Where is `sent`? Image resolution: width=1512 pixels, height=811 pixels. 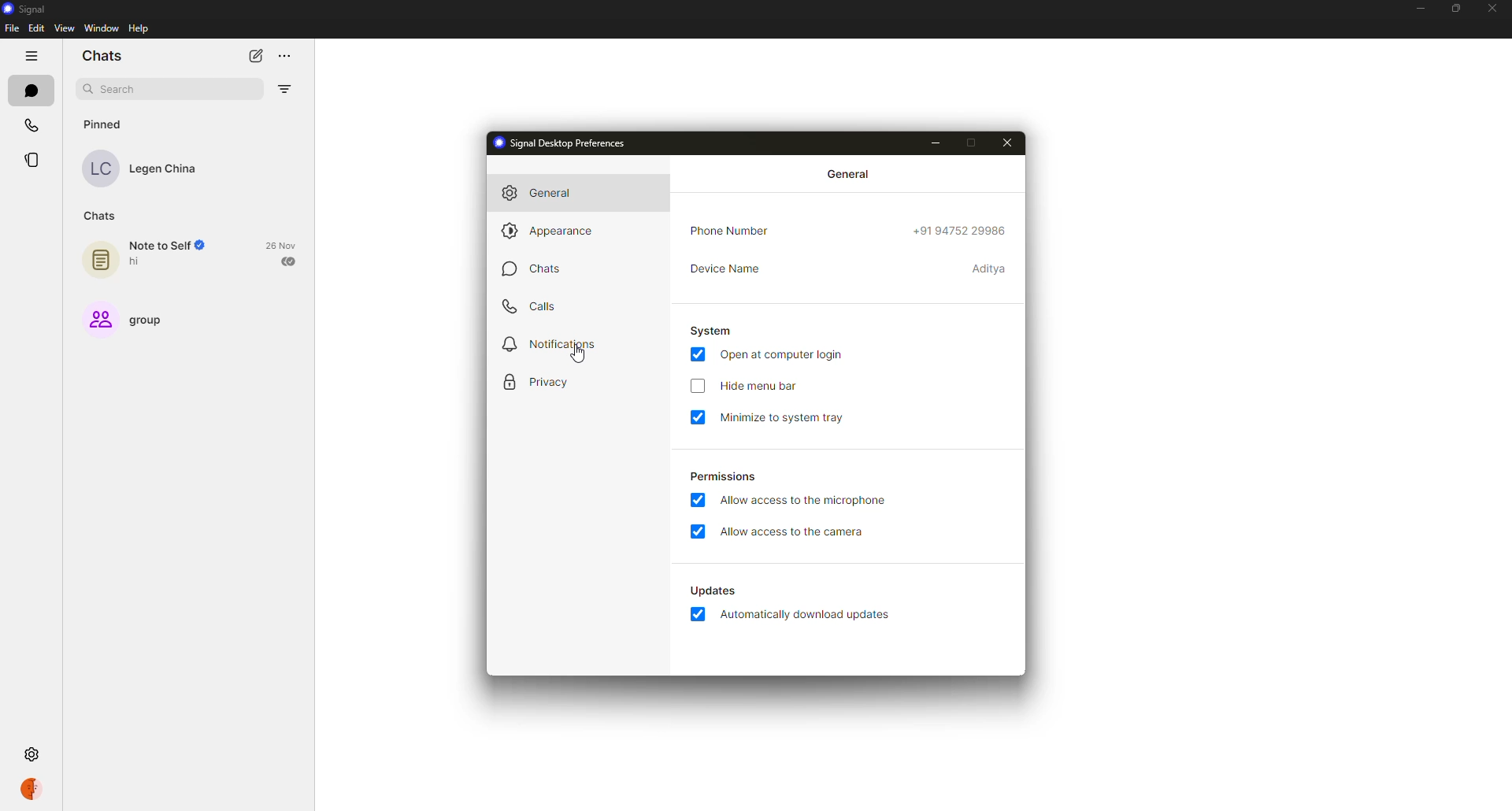 sent is located at coordinates (290, 261).